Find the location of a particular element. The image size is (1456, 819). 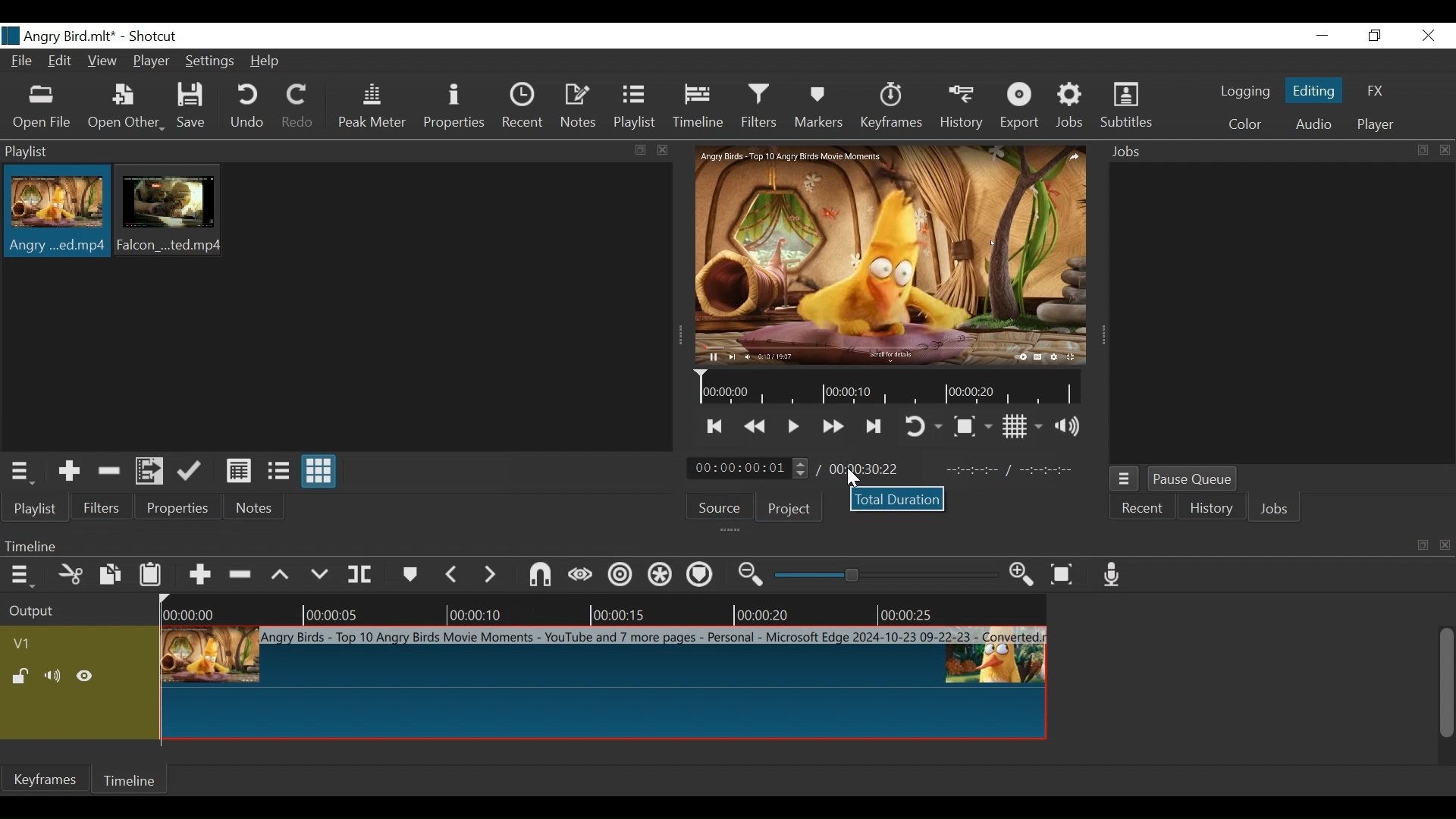

Total Duration dialogue box is located at coordinates (895, 498).